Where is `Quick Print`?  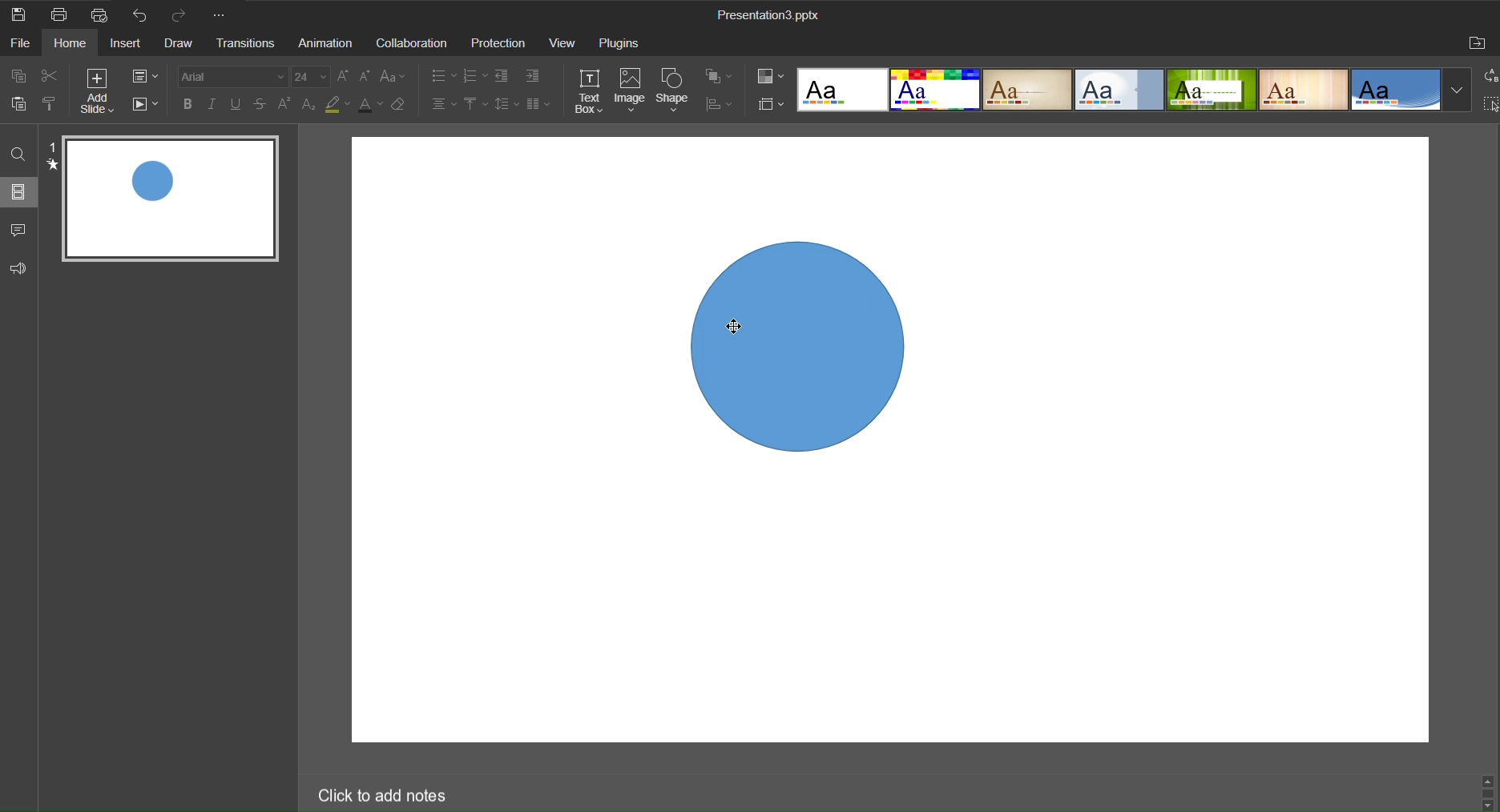
Quick Print is located at coordinates (98, 14).